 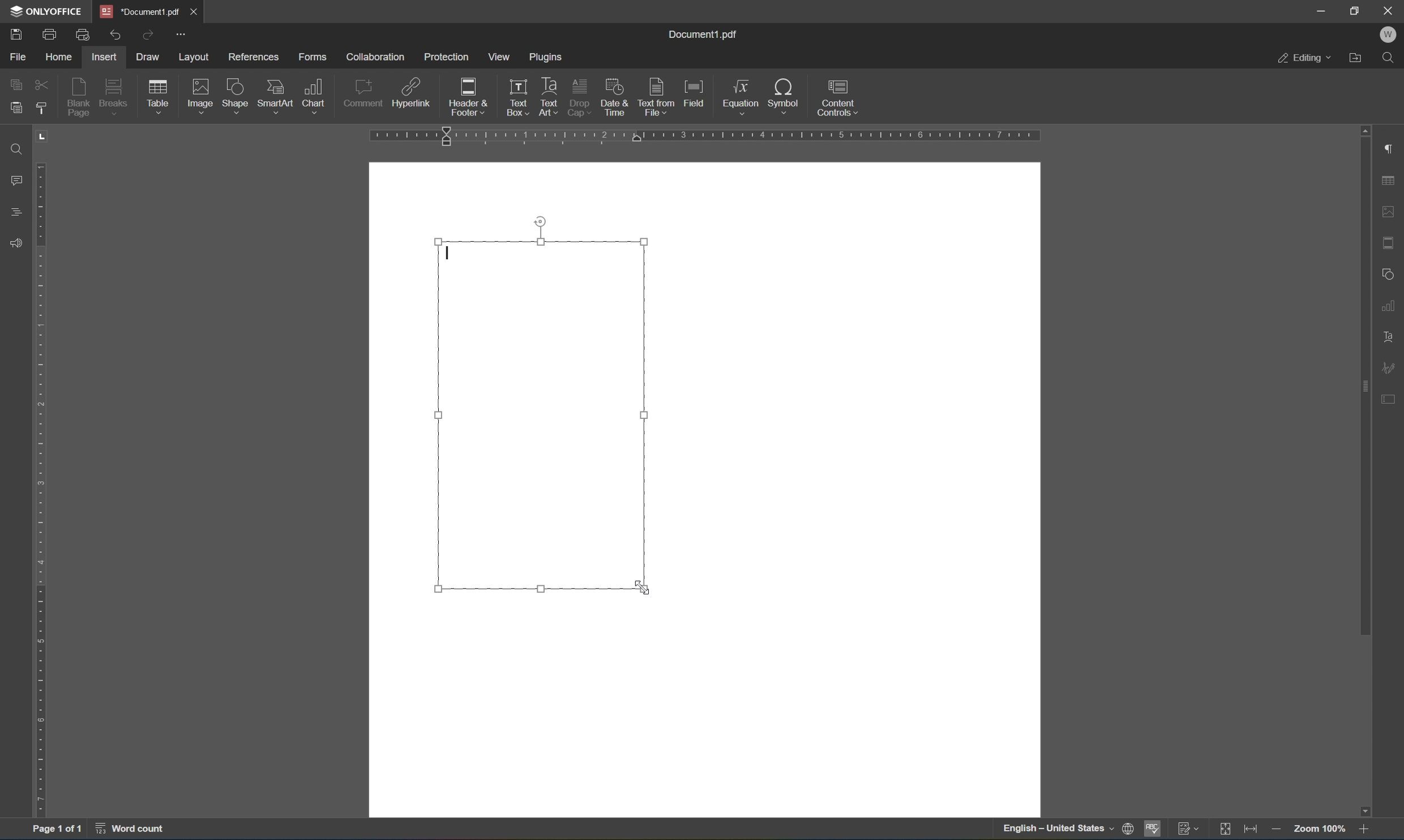 What do you see at coordinates (1389, 181) in the screenshot?
I see `Table settings` at bounding box center [1389, 181].